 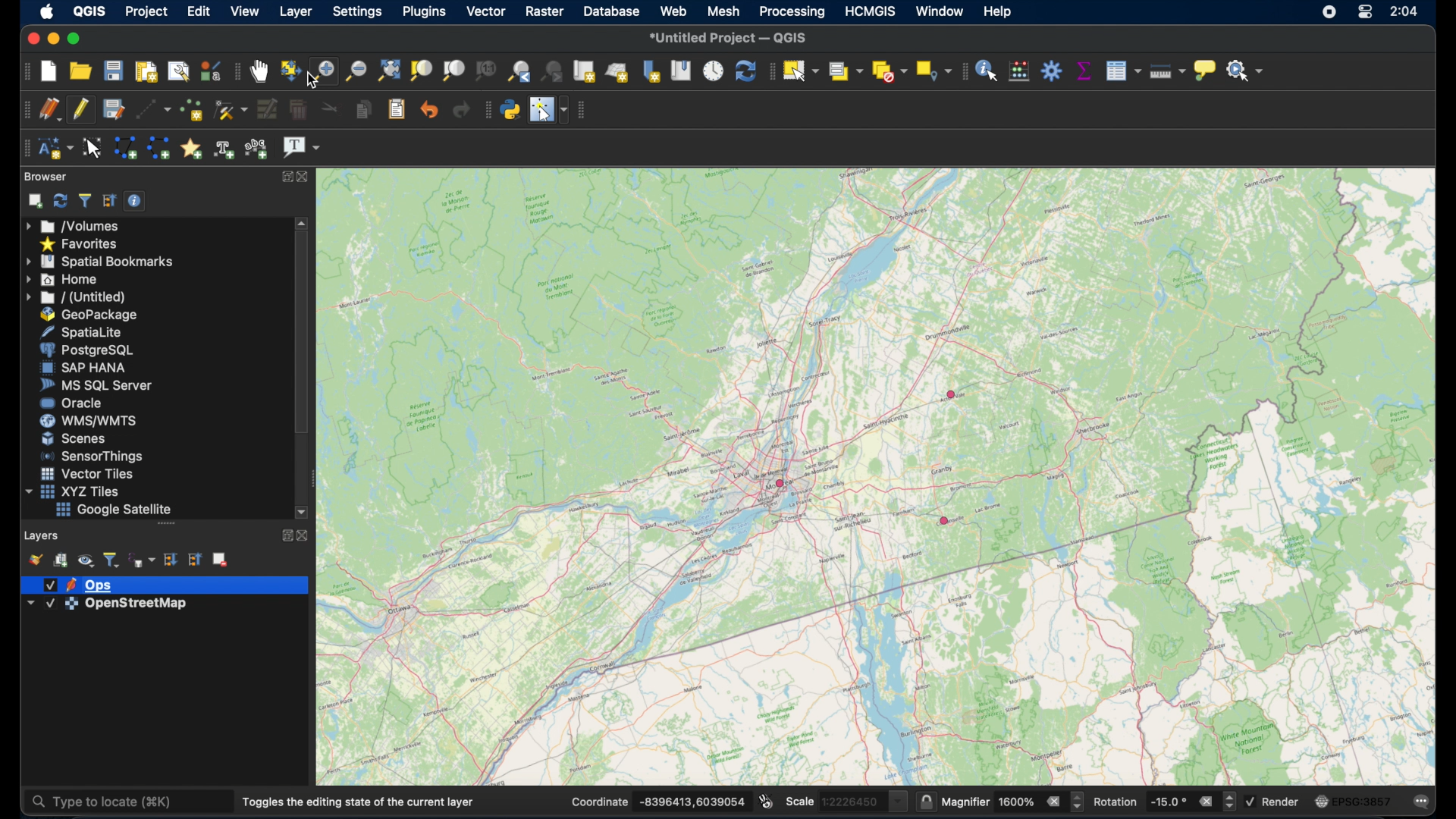 What do you see at coordinates (617, 71) in the screenshot?
I see `new 3D map view` at bounding box center [617, 71].